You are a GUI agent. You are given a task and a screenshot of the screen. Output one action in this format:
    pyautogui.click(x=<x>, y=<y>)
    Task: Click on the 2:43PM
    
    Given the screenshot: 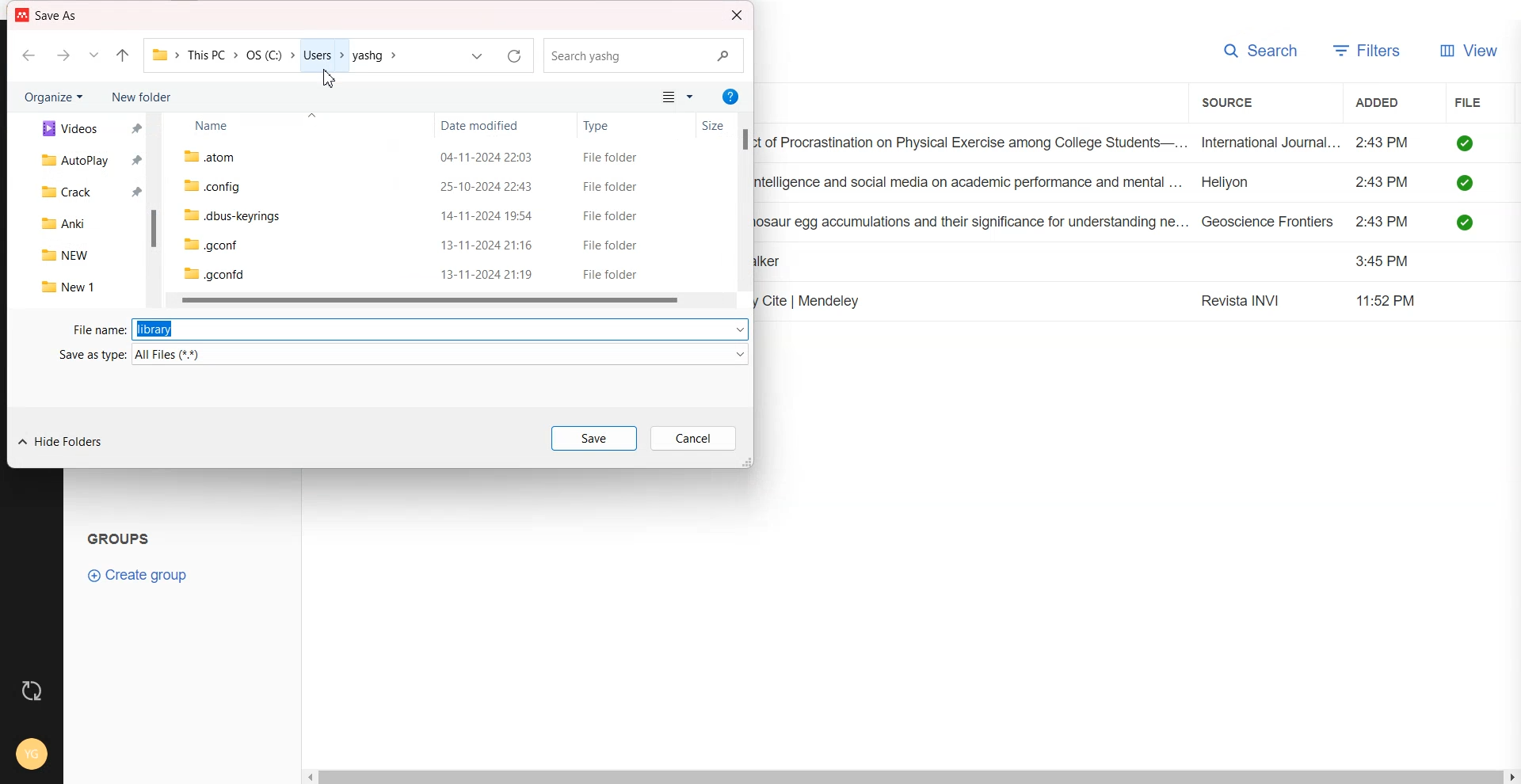 What is the action you would take?
    pyautogui.click(x=1383, y=143)
    